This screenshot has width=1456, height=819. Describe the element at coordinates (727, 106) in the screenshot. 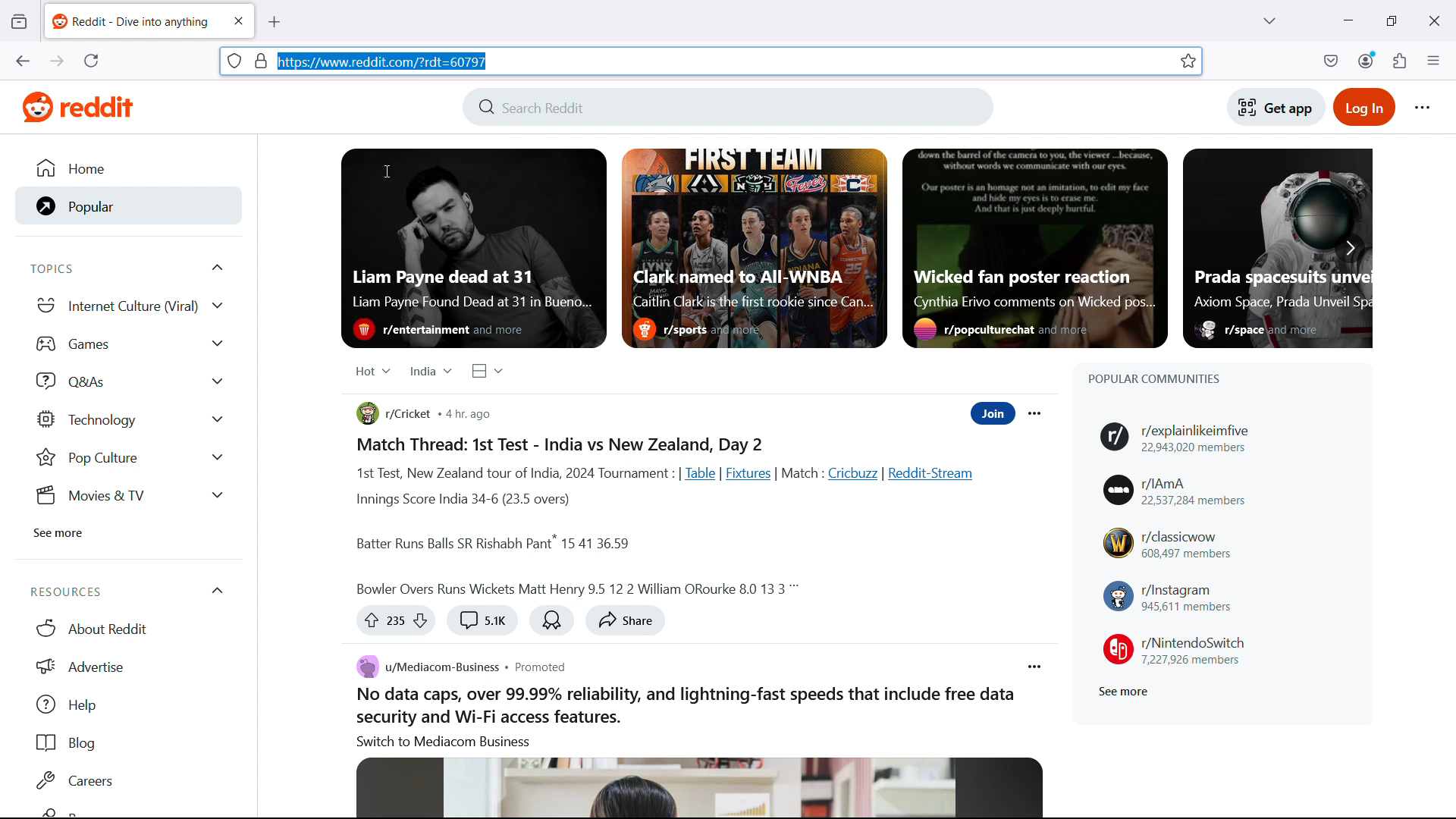

I see `Search Reddit` at that location.